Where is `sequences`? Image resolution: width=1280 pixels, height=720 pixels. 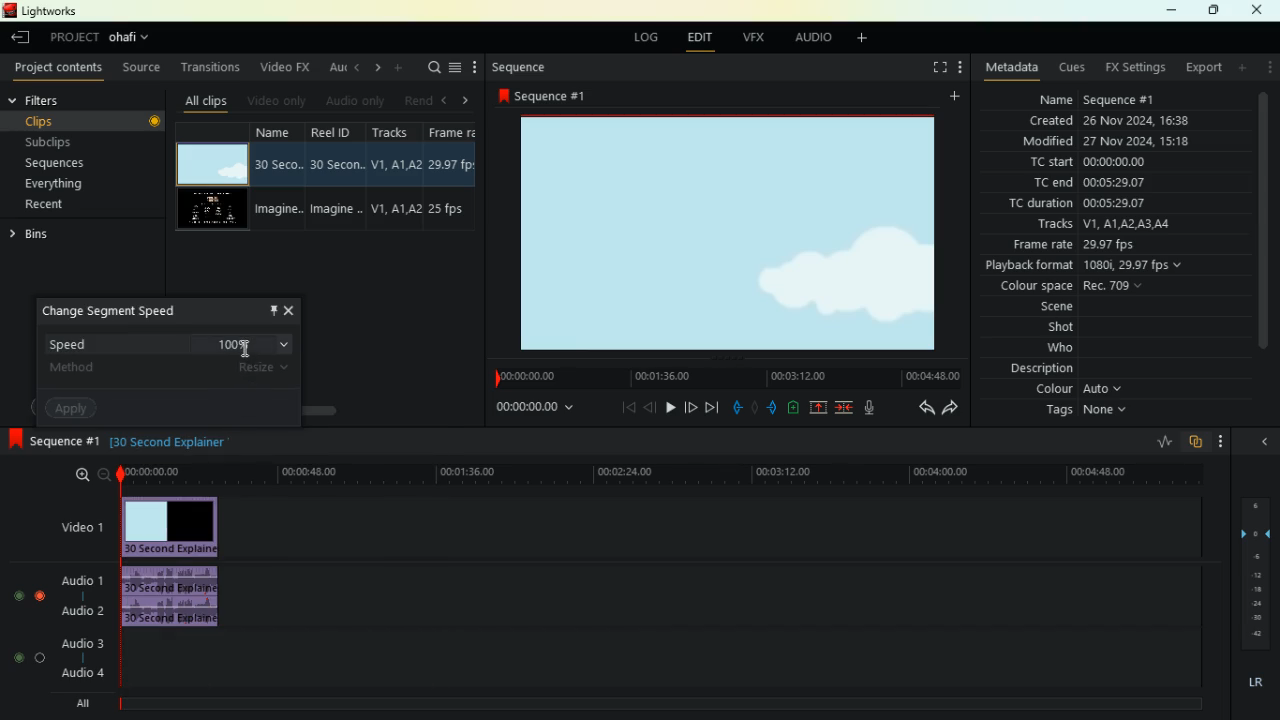 sequences is located at coordinates (63, 164).